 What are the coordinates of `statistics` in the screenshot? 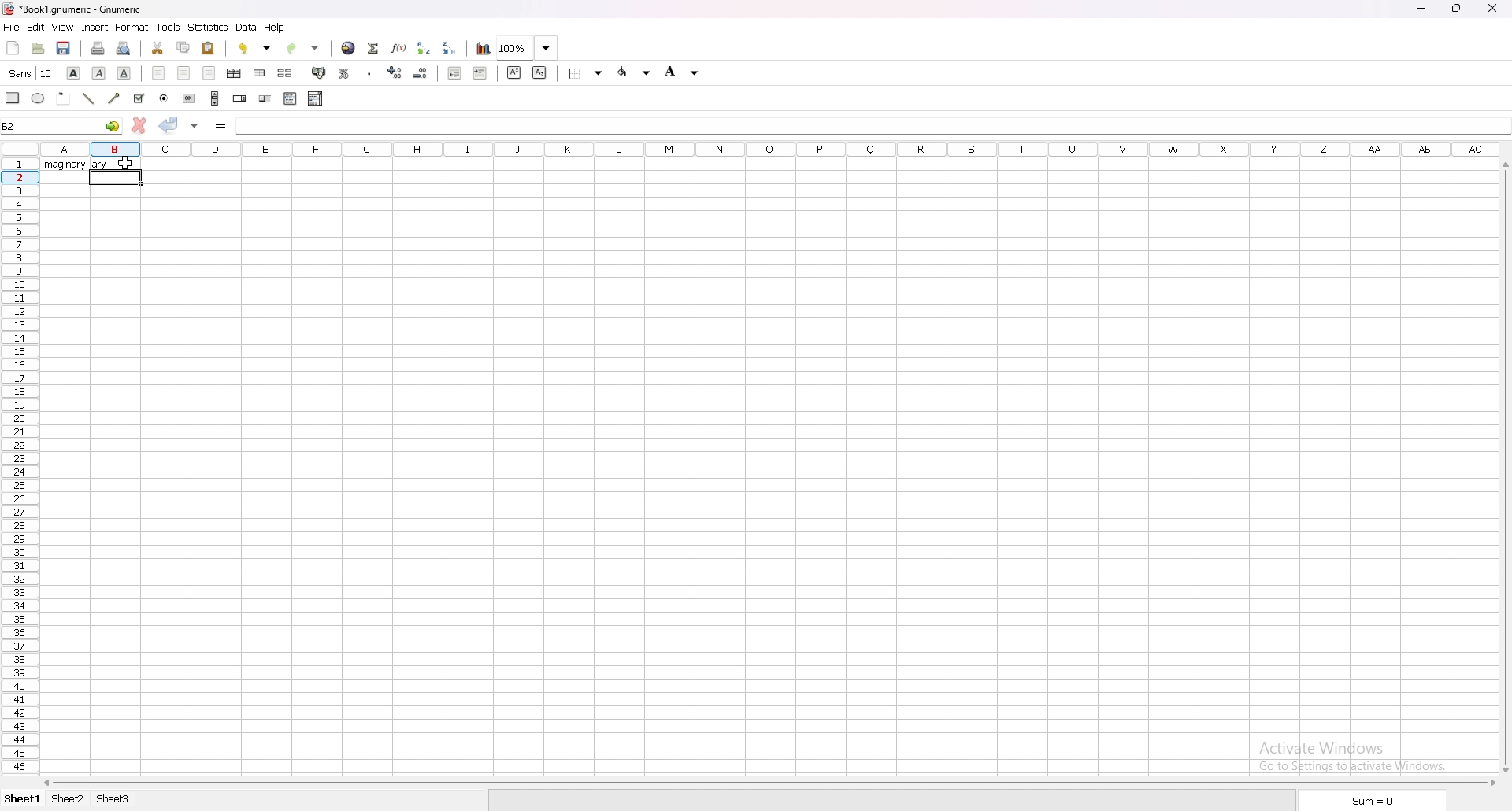 It's located at (209, 28).